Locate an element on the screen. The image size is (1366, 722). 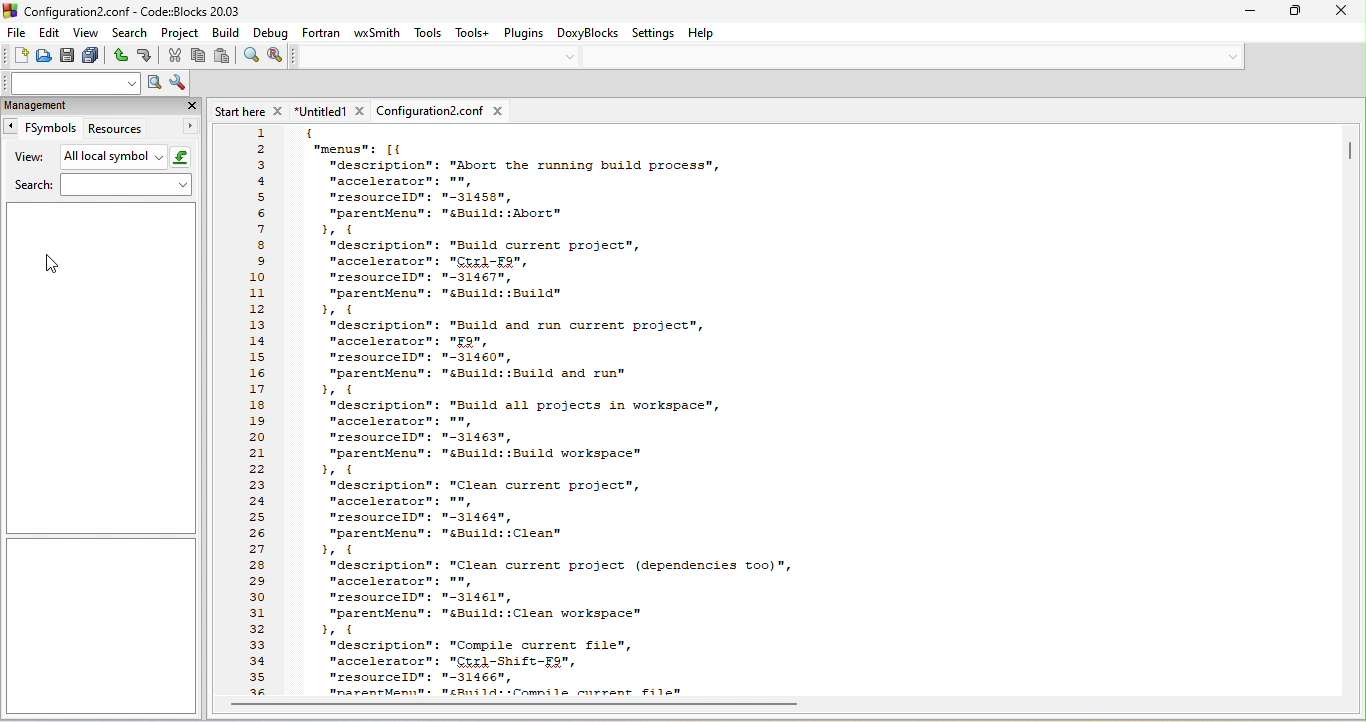
search is located at coordinates (132, 34).